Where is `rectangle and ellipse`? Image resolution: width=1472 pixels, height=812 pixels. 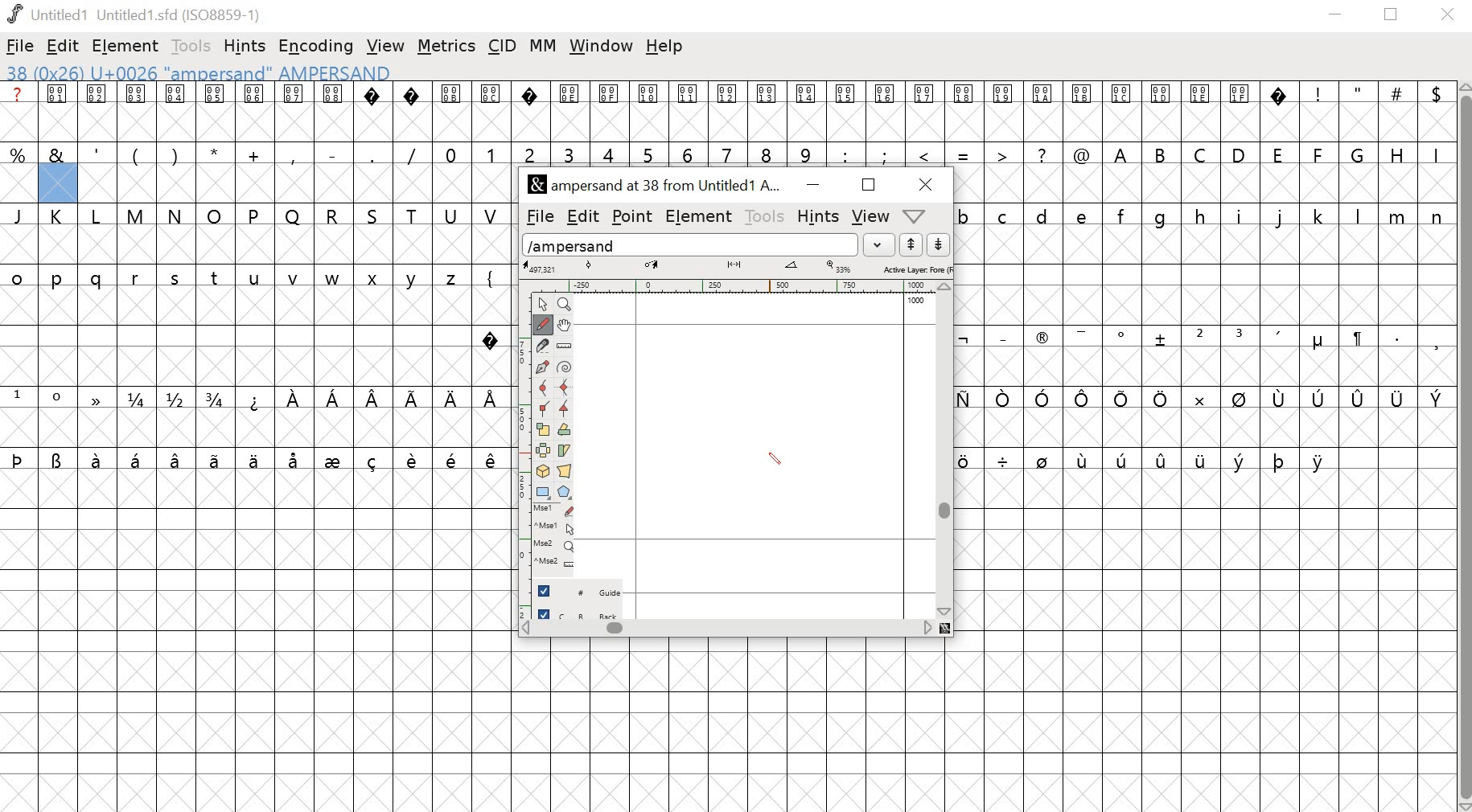
rectangle and ellipse is located at coordinates (543, 491).